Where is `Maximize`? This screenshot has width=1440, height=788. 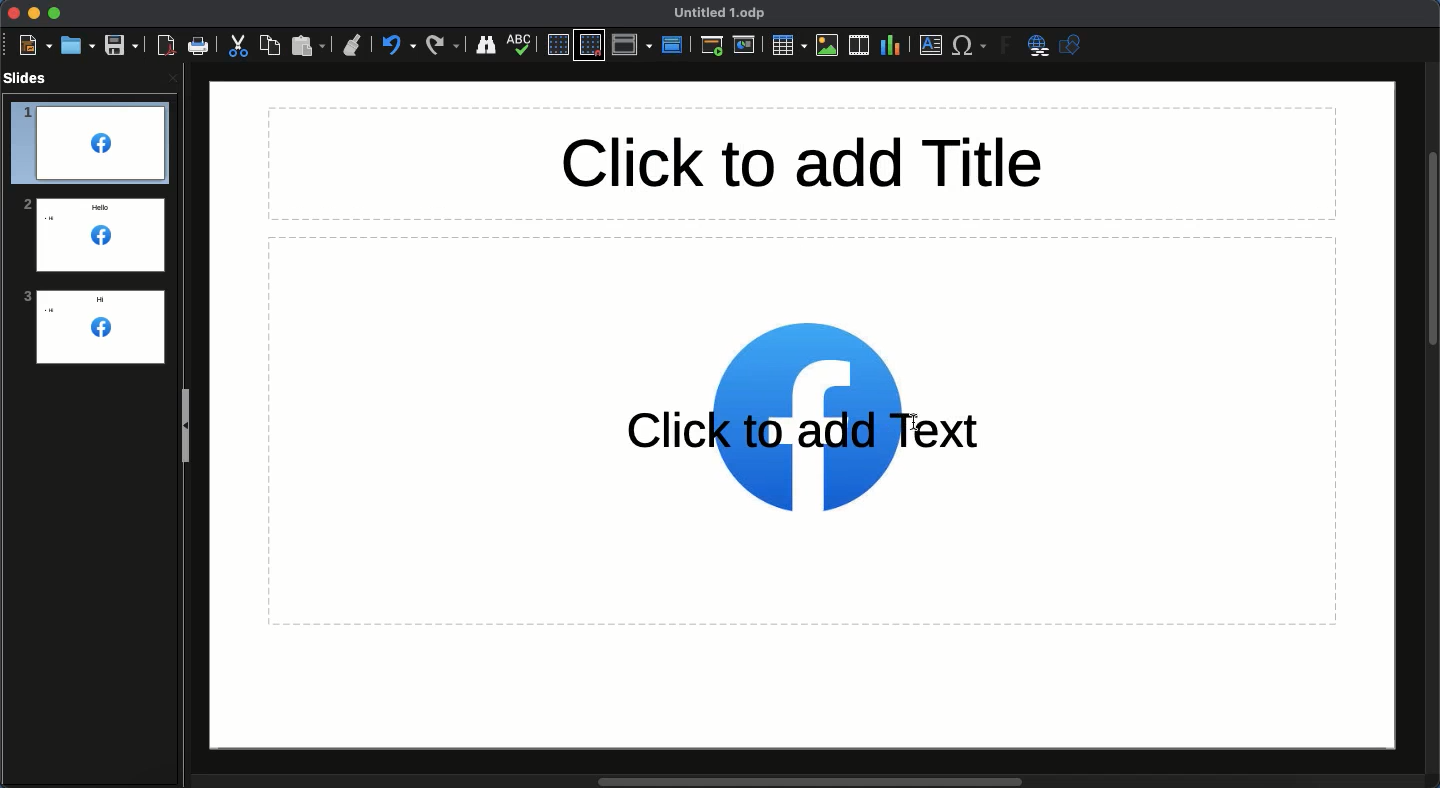
Maximize is located at coordinates (54, 14).